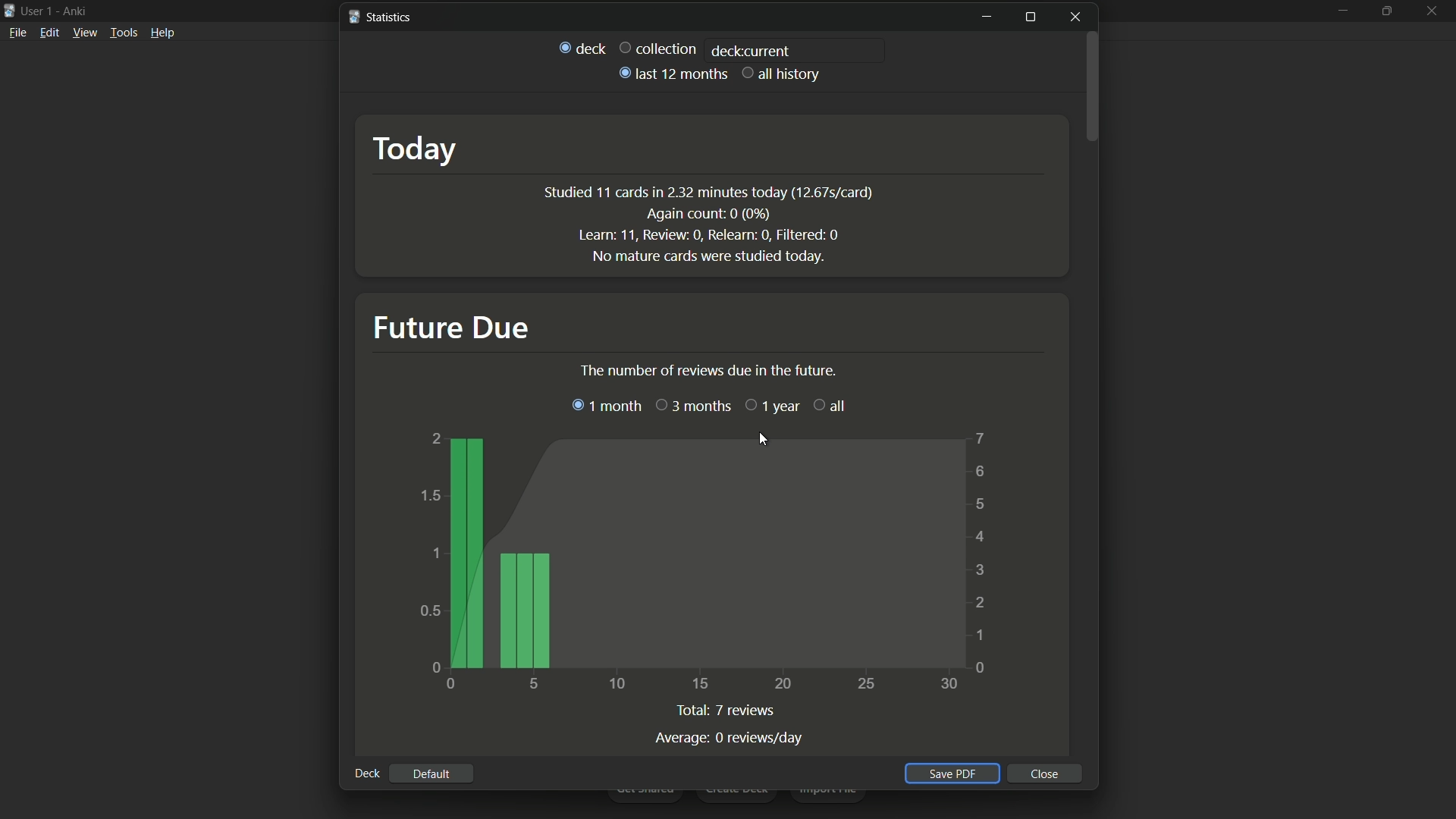  Describe the element at coordinates (607, 405) in the screenshot. I see `1 month` at that location.